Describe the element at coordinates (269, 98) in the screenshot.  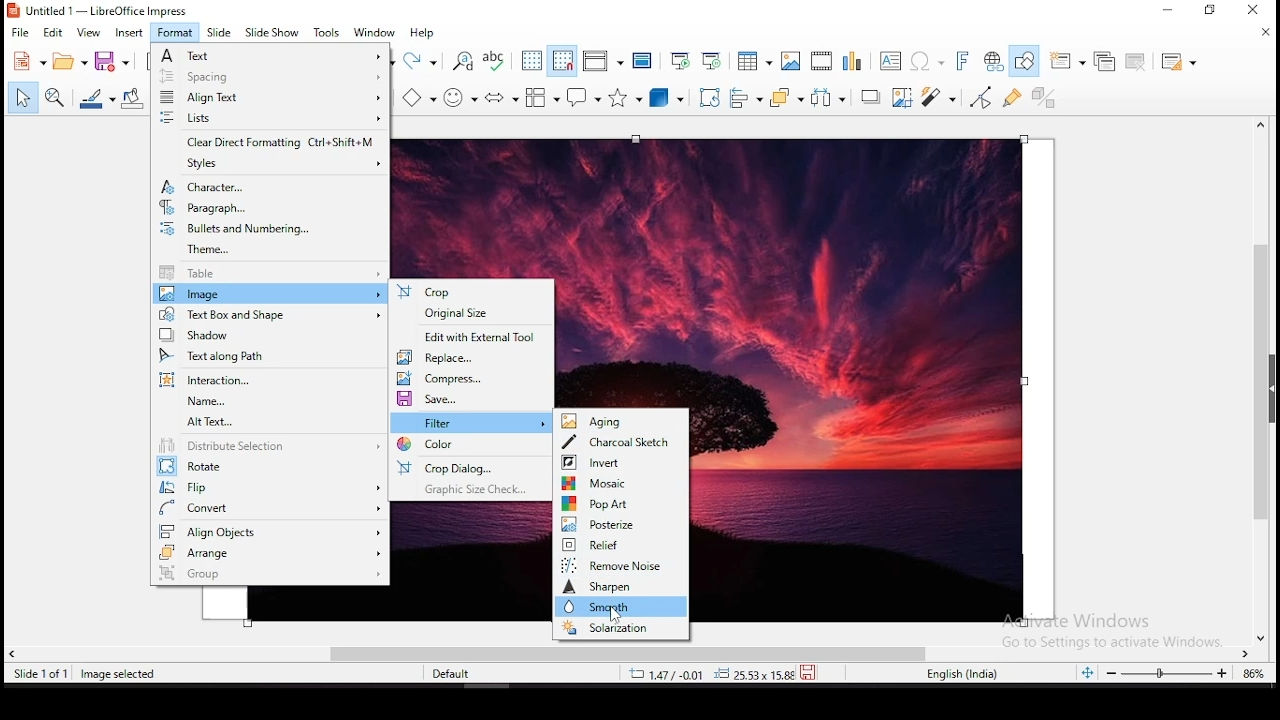
I see `align` at that location.